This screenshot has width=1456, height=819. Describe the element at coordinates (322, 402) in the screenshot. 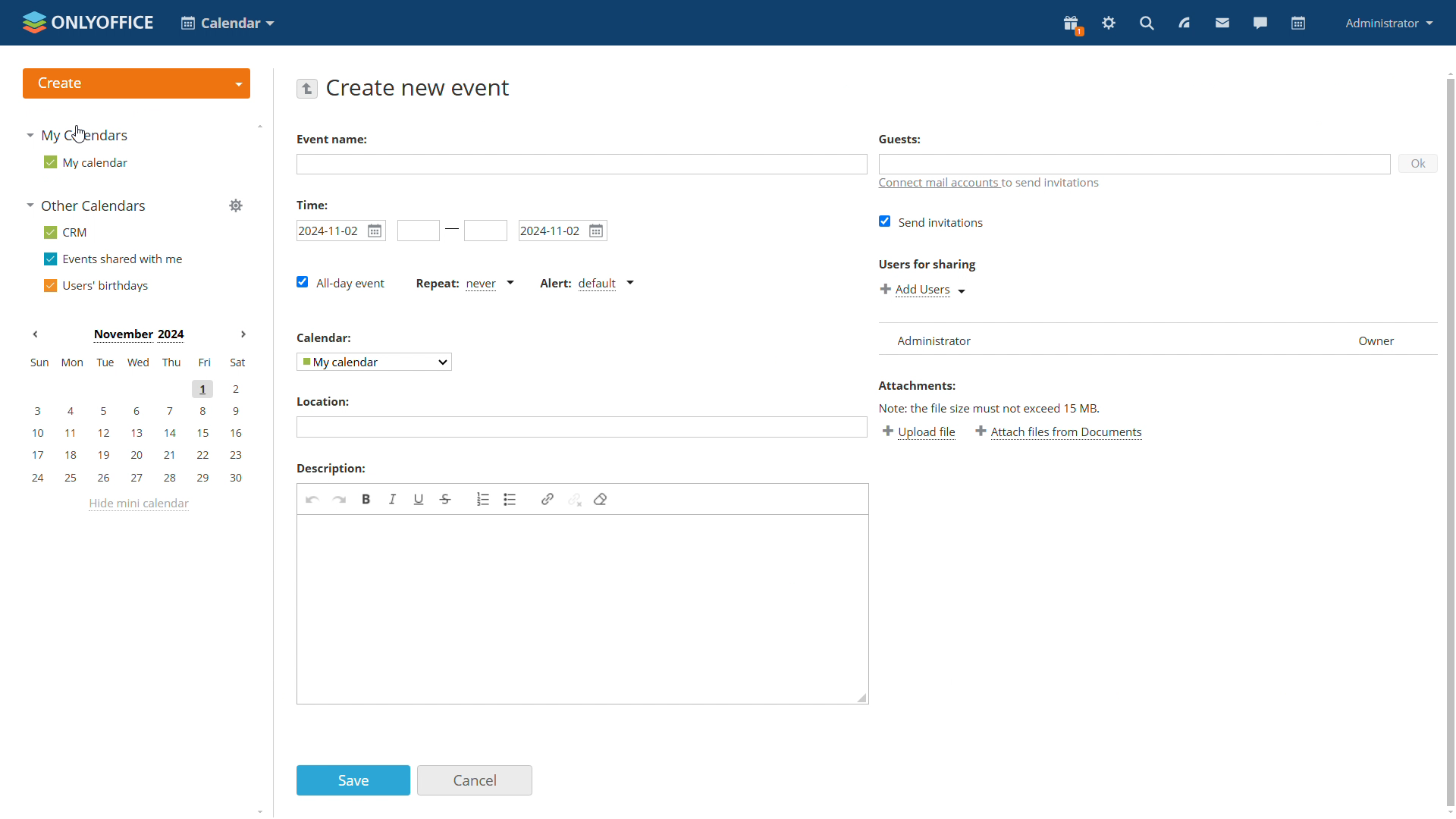

I see `Location` at that location.